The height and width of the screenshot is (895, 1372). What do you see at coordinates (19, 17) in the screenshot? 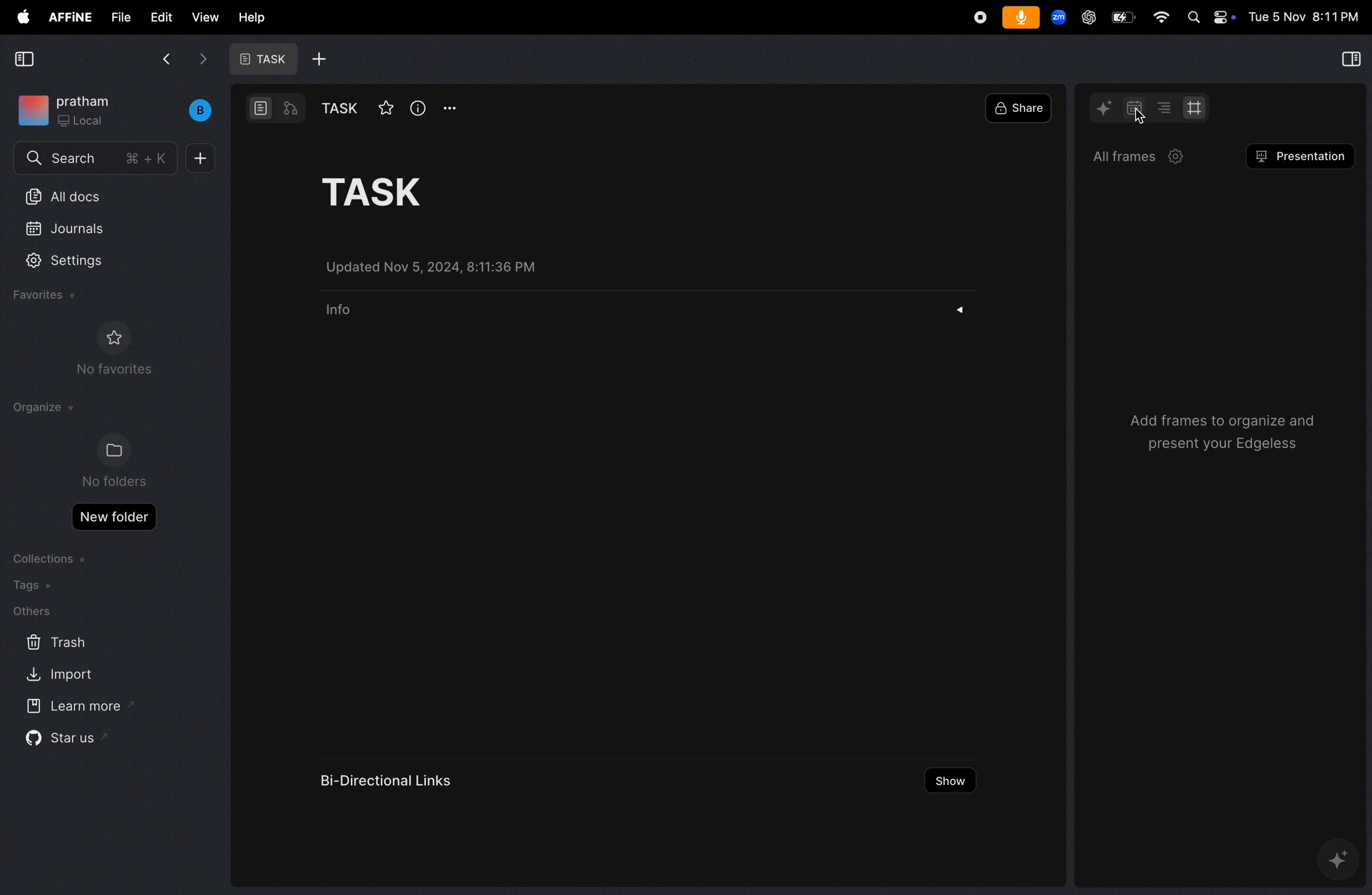
I see `apple menu` at bounding box center [19, 17].